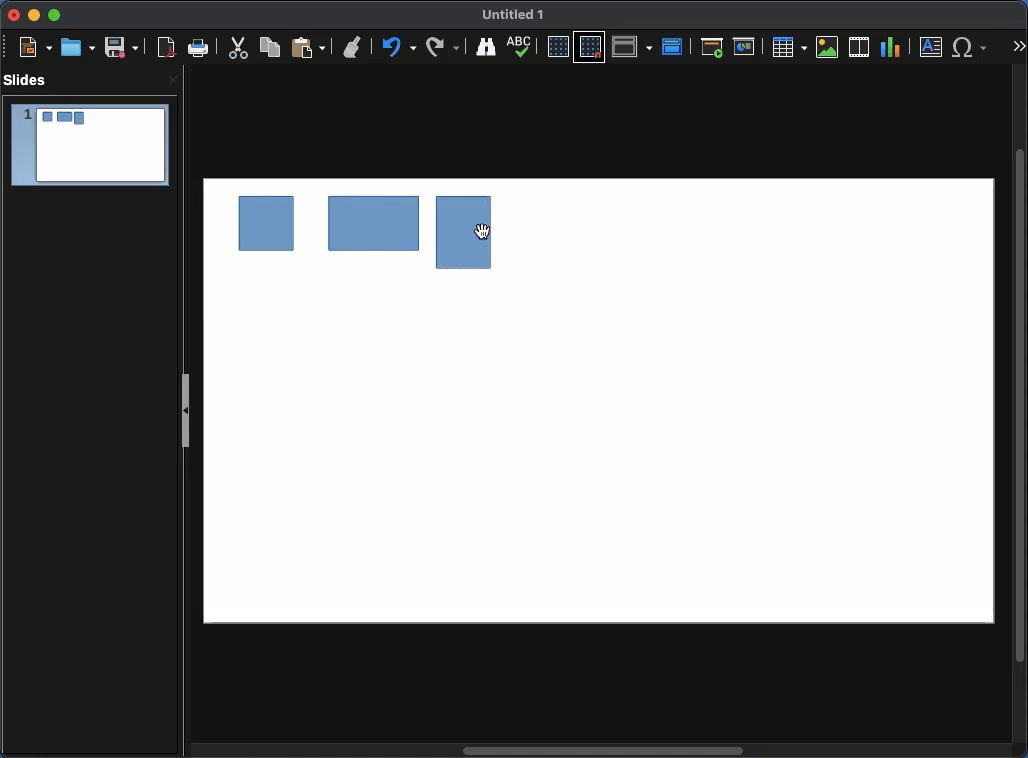 The image size is (1028, 758). What do you see at coordinates (306, 48) in the screenshot?
I see `Paste` at bounding box center [306, 48].